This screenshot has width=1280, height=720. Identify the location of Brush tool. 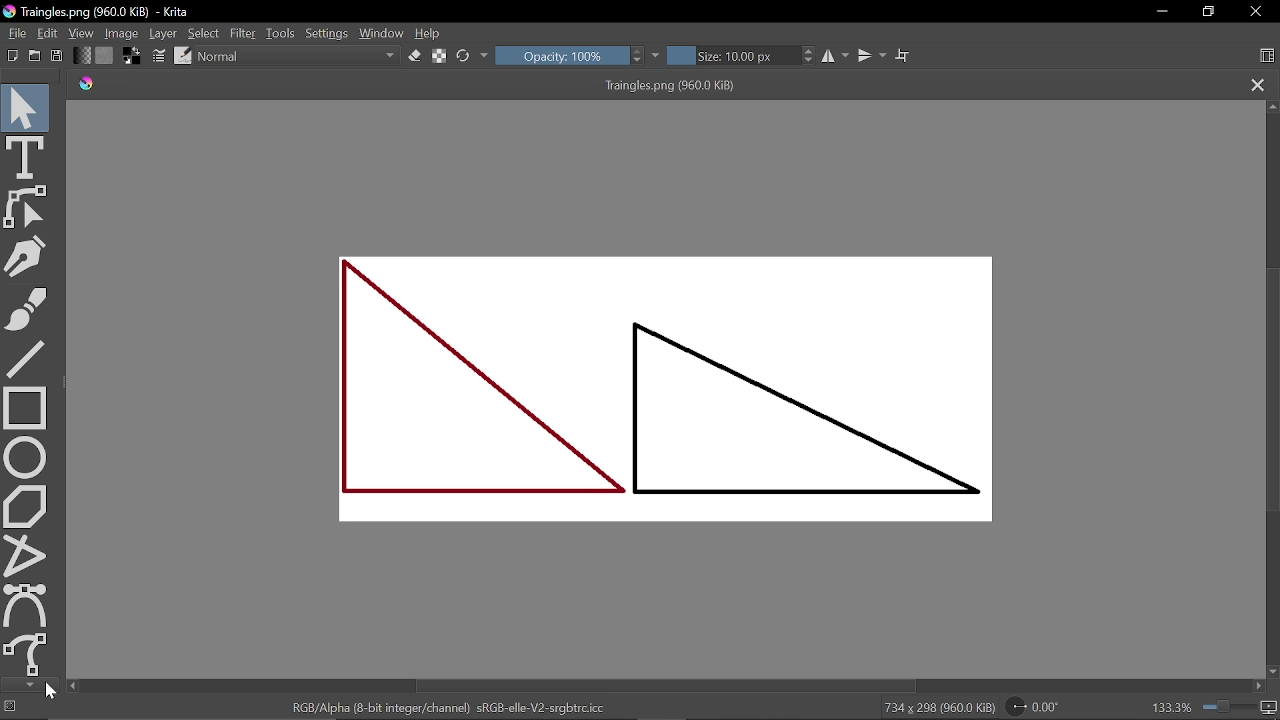
(30, 308).